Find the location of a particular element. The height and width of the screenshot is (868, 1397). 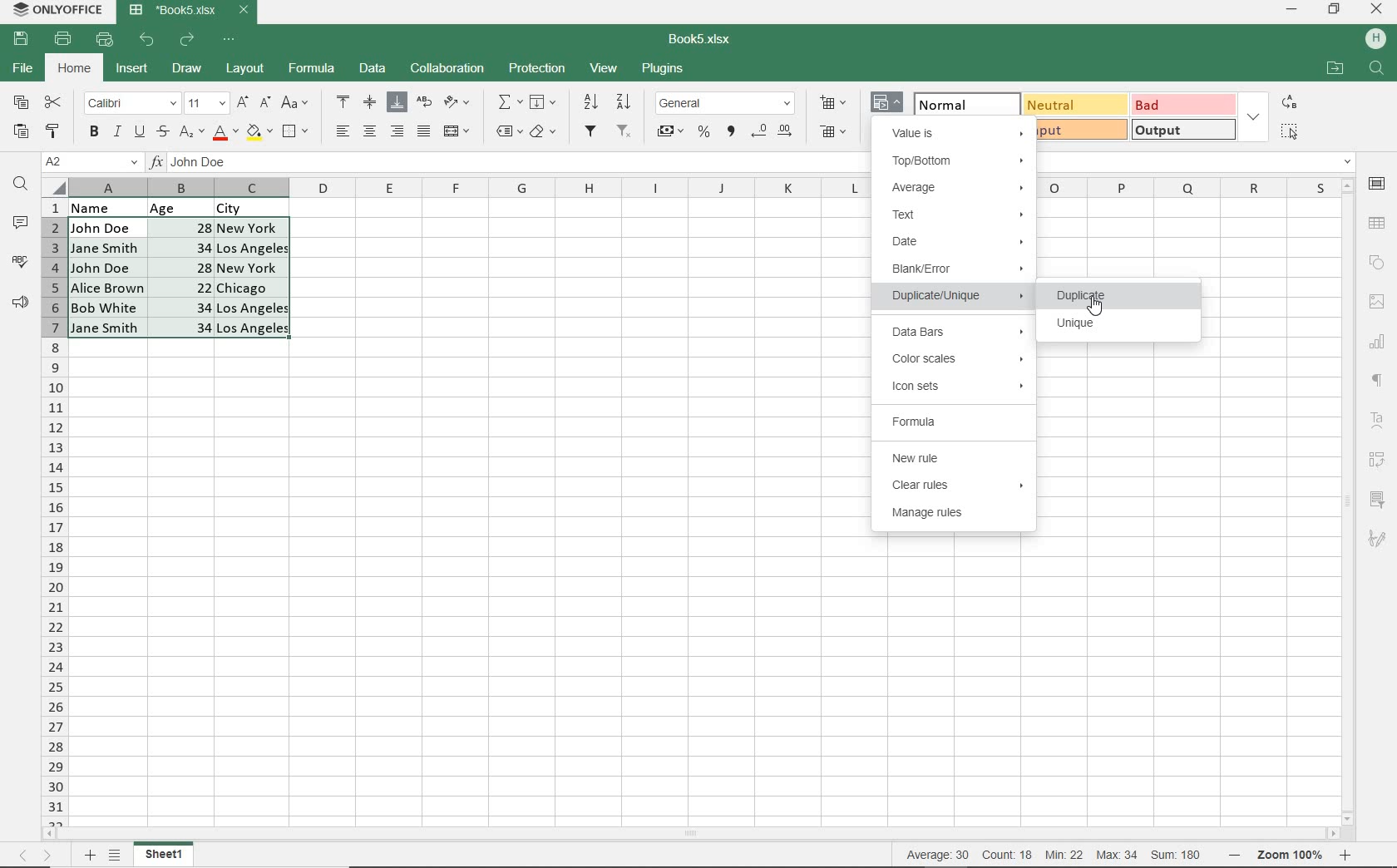

FEEDBACK & SUPPORT is located at coordinates (21, 302).